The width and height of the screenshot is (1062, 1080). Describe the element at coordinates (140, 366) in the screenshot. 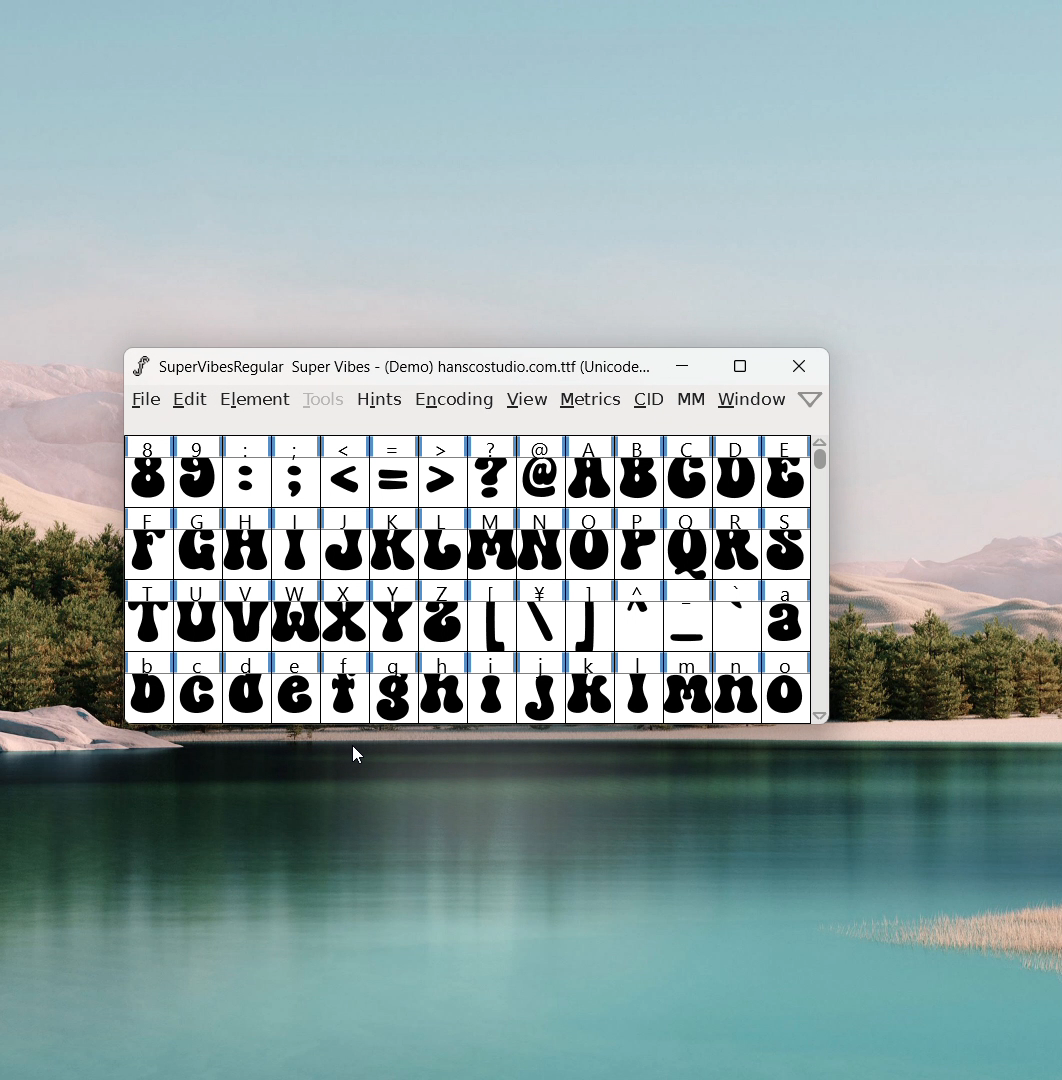

I see `logo` at that location.